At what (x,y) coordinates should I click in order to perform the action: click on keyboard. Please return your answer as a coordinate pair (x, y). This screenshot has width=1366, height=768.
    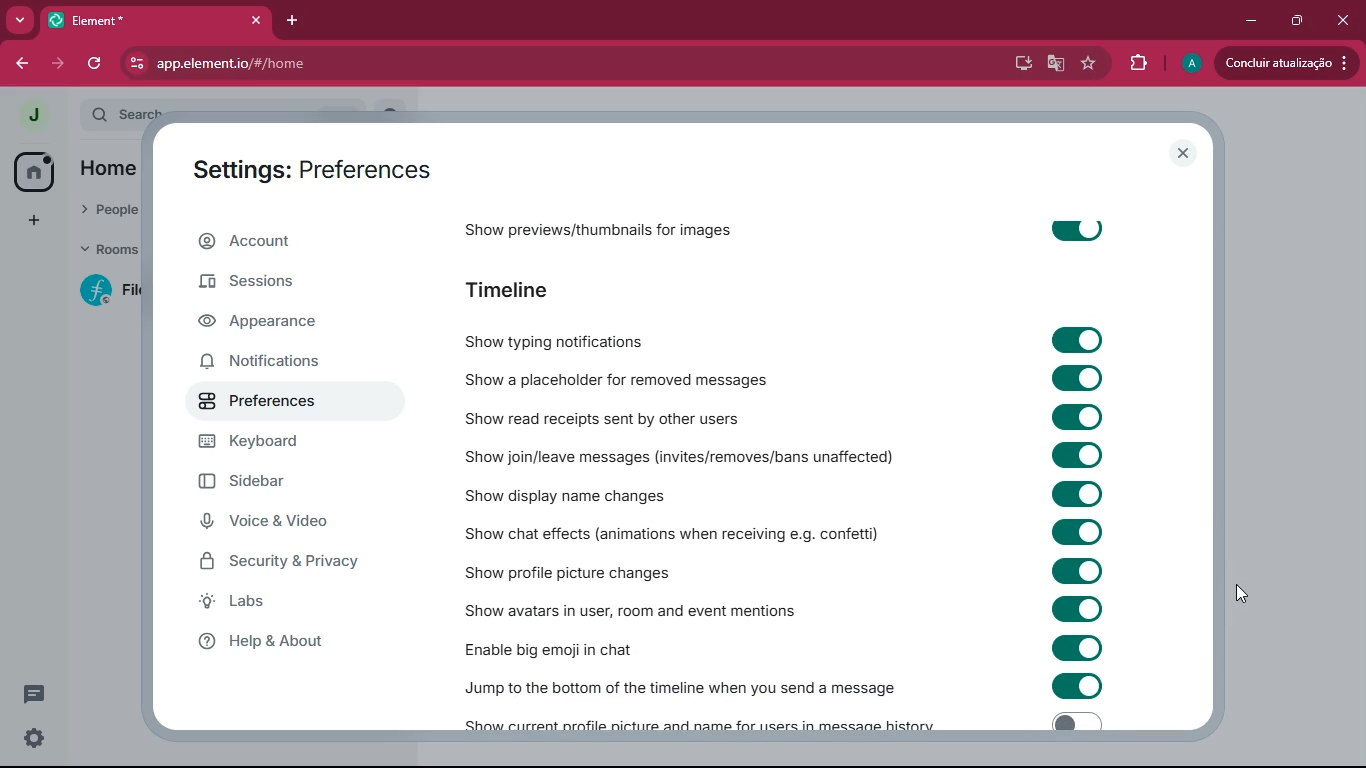
    Looking at the image, I should click on (276, 445).